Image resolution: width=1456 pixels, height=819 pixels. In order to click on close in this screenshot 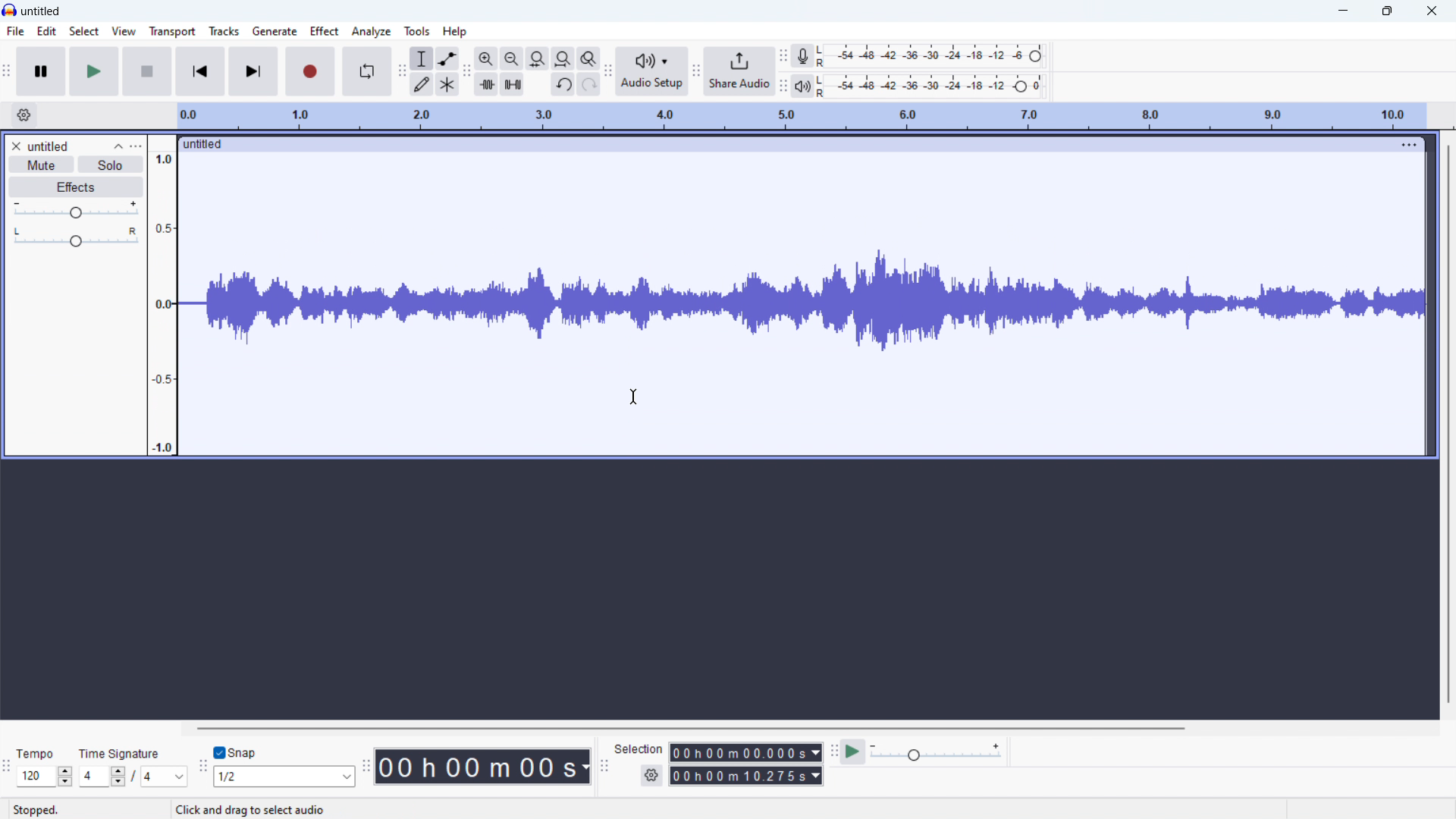, I will do `click(1433, 11)`.